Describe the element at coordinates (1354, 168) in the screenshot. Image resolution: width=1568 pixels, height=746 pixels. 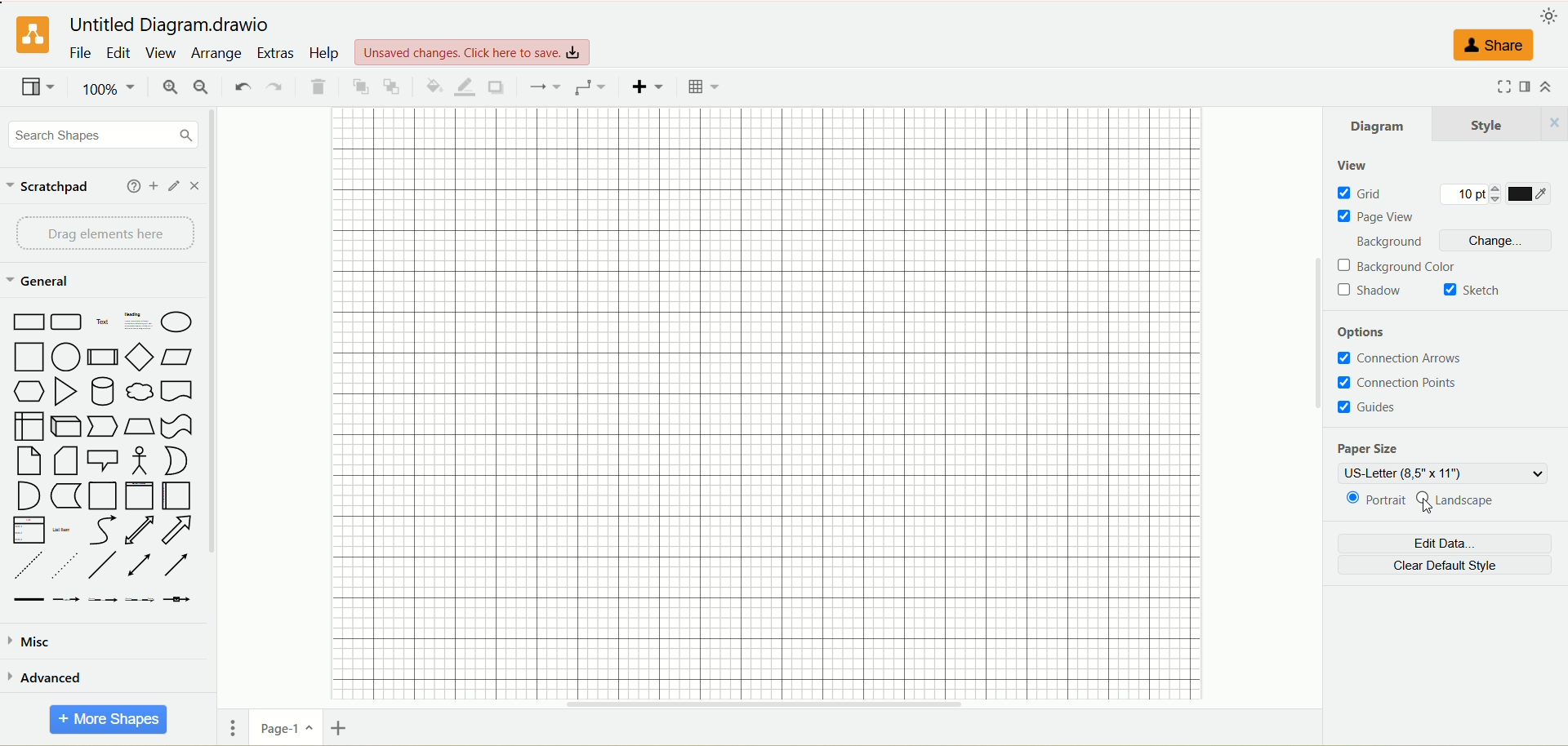
I see `view` at that location.